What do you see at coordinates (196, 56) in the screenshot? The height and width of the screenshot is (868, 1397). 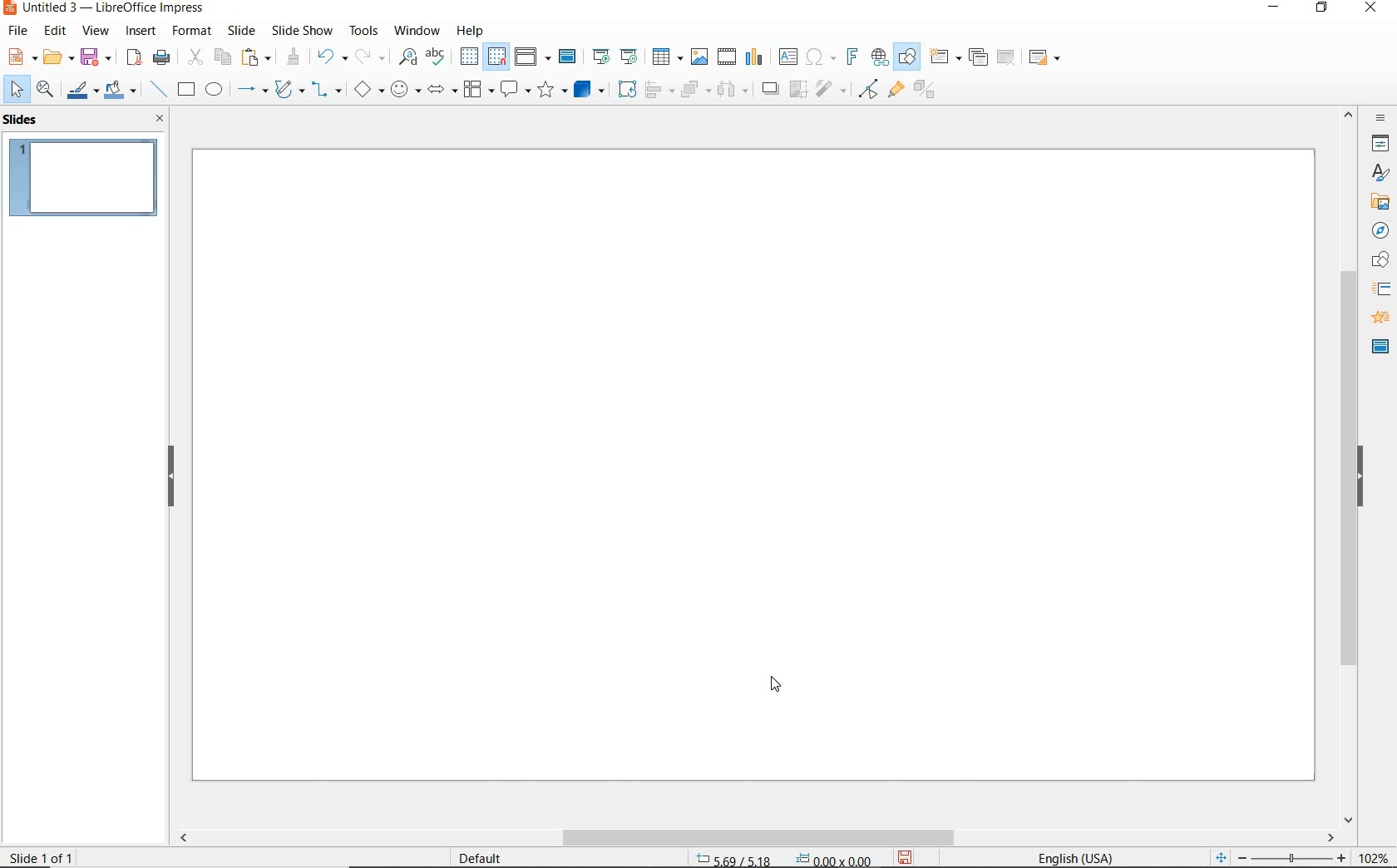 I see `CUT` at bounding box center [196, 56].